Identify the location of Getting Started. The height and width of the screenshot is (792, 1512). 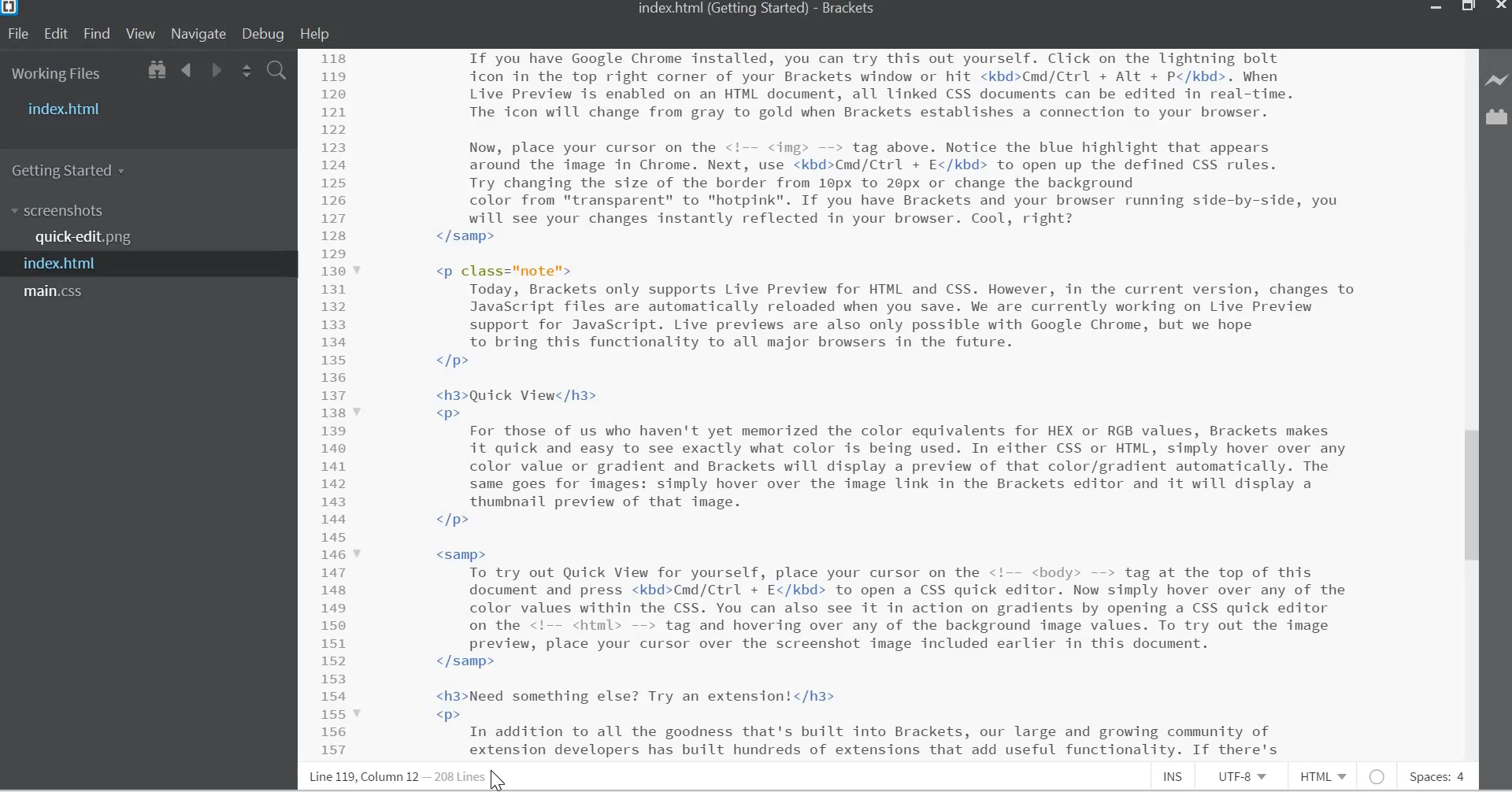
(70, 171).